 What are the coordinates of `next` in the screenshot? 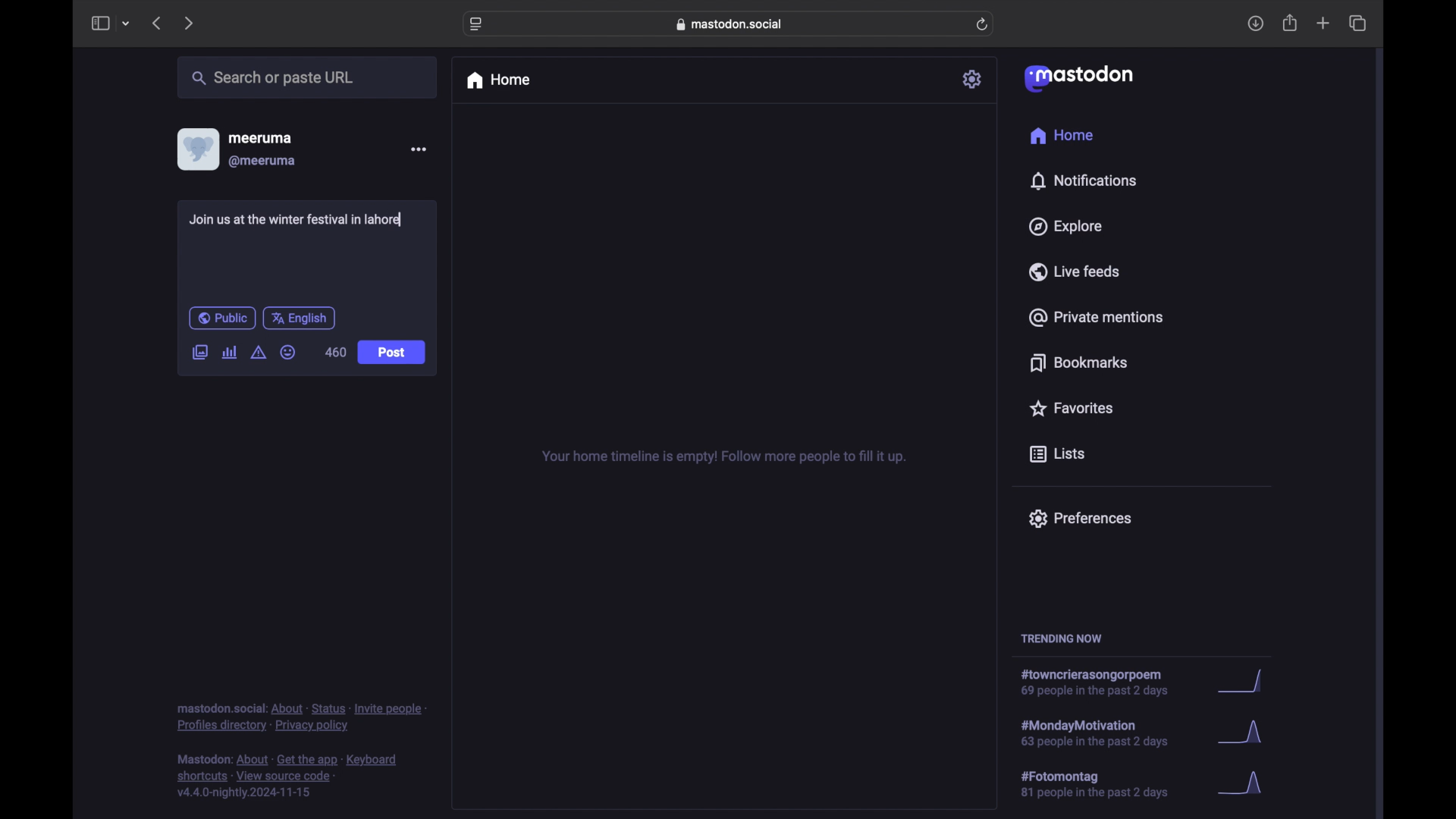 It's located at (190, 23).